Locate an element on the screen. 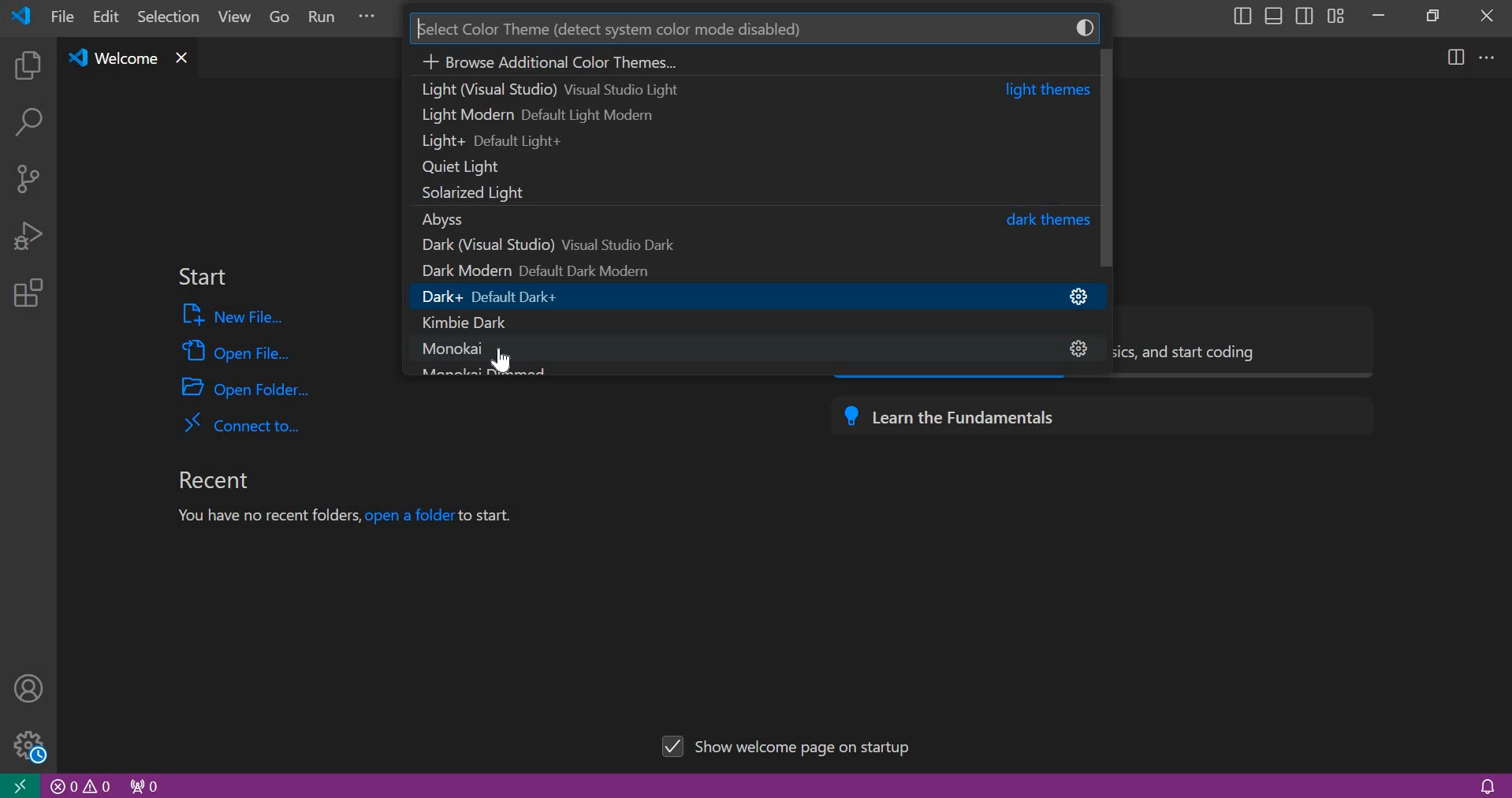 Image resolution: width=1512 pixels, height=798 pixels. open a remote window is located at coordinates (19, 785).